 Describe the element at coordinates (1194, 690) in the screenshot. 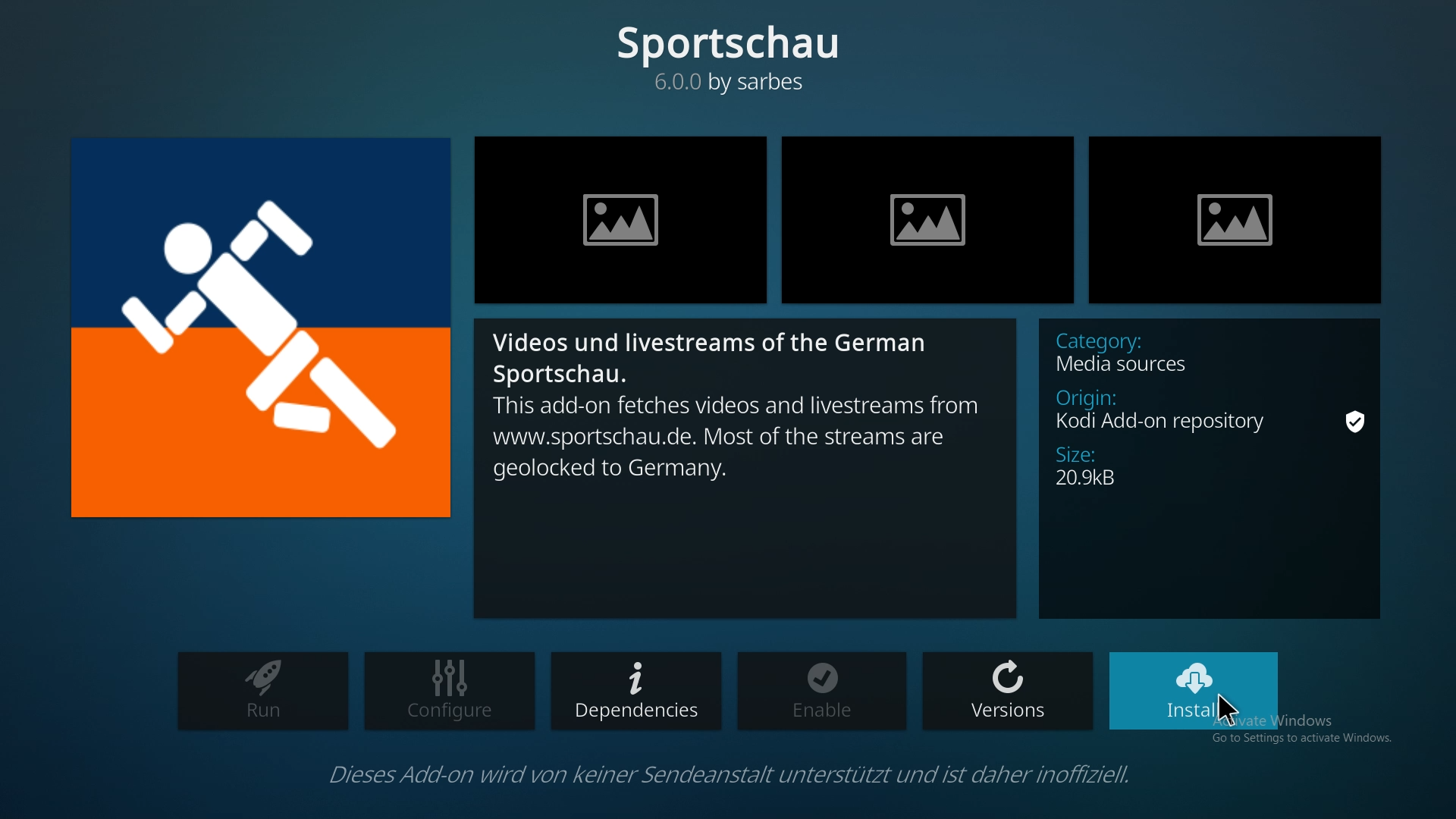

I see `install` at that location.